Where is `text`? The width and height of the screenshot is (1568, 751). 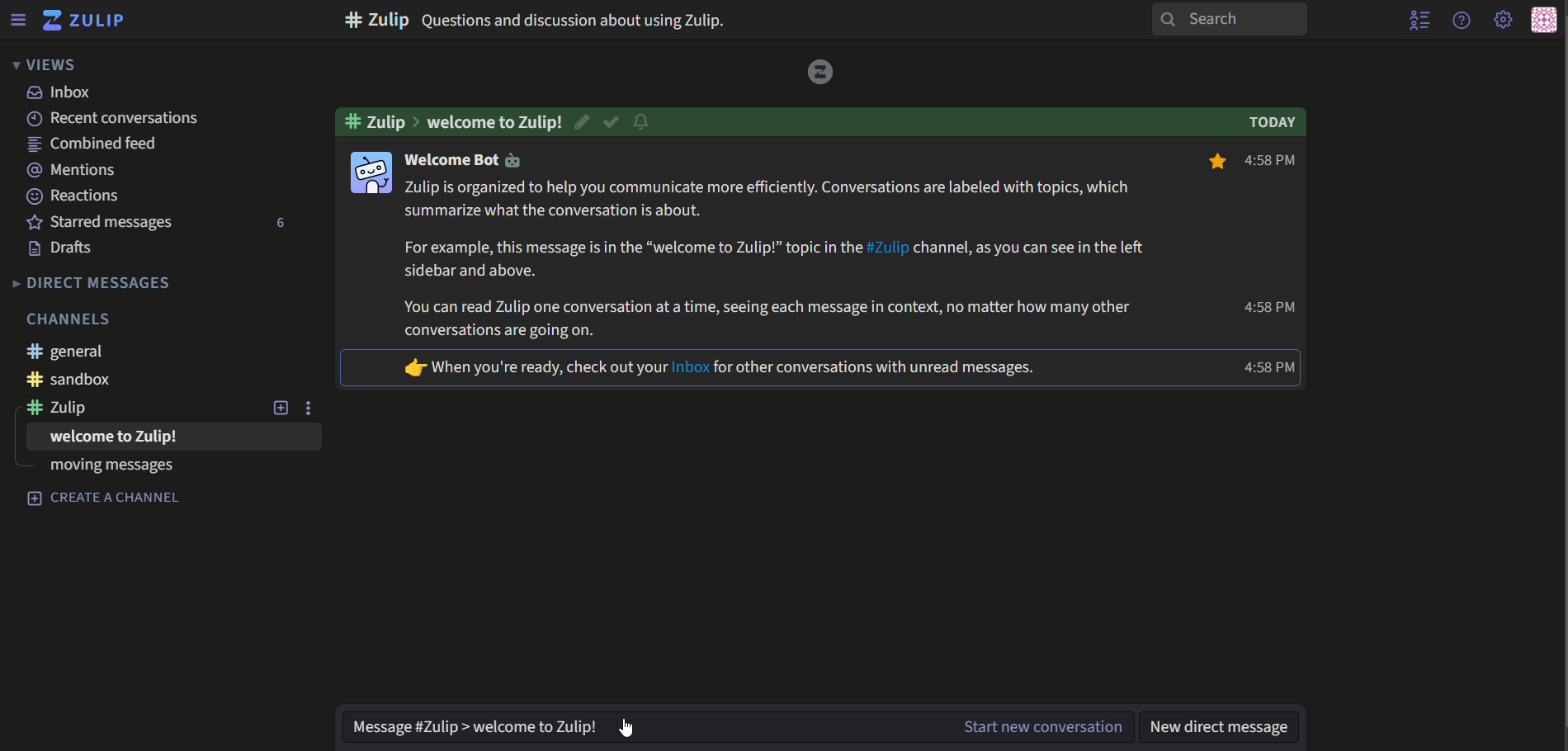
text is located at coordinates (67, 249).